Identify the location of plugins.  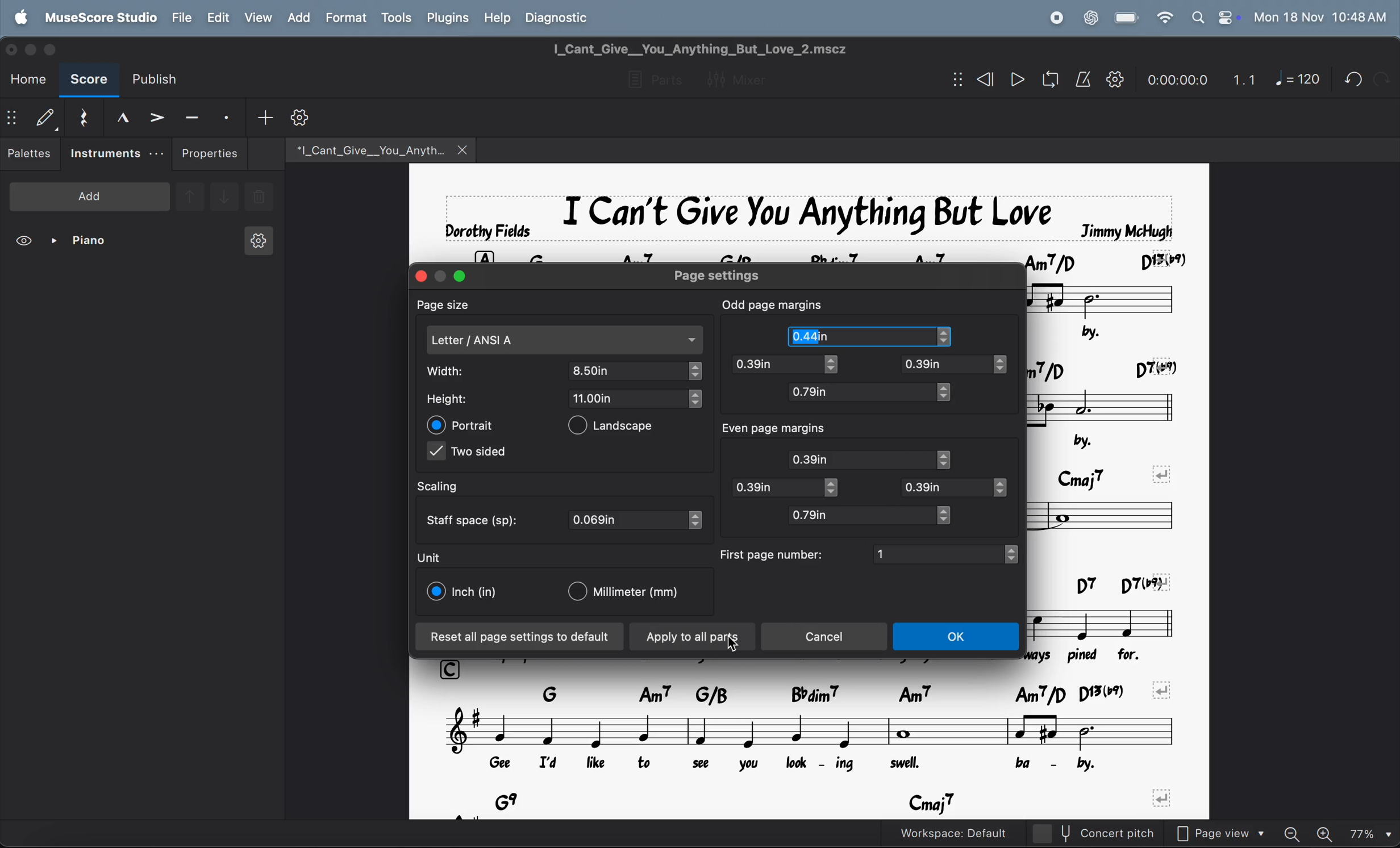
(445, 18).